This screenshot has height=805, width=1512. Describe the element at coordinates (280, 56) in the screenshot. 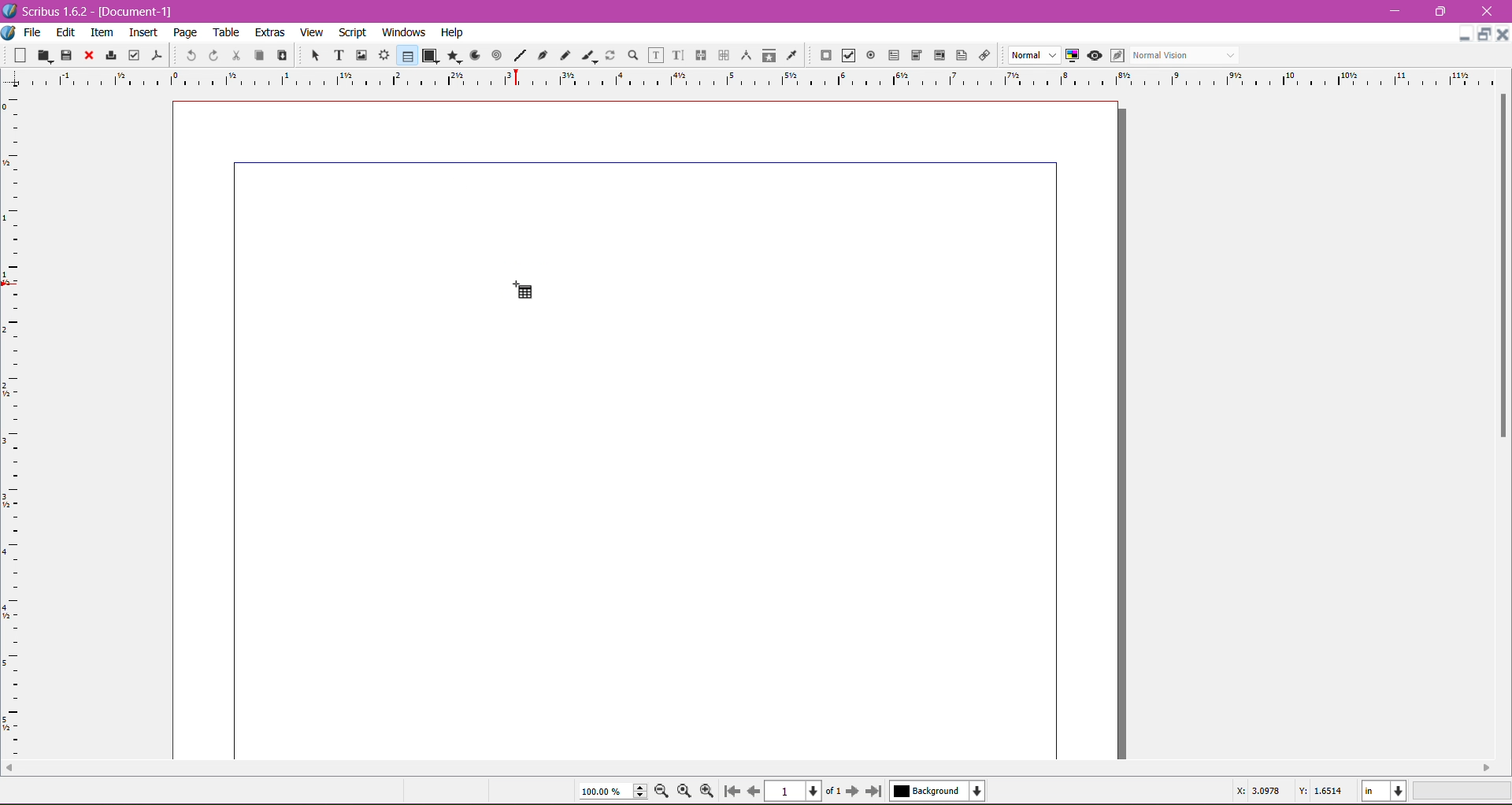

I see `Paste` at that location.